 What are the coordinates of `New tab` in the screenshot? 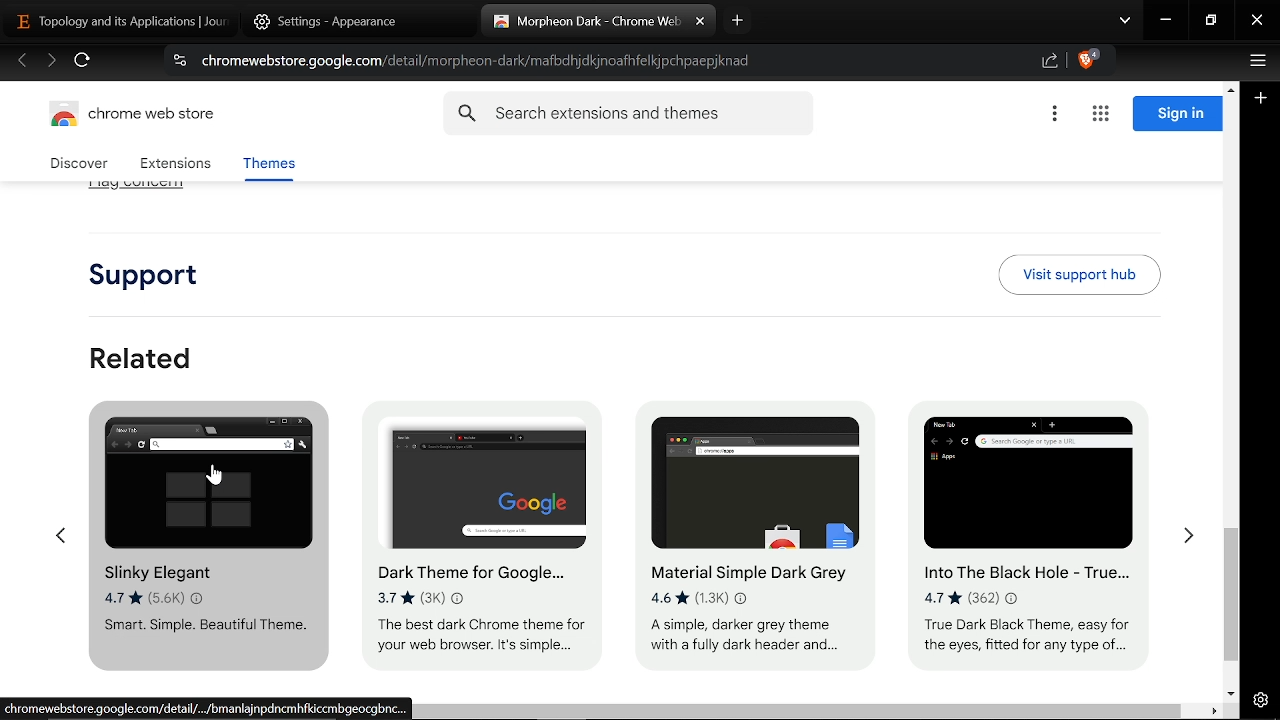 It's located at (738, 20).